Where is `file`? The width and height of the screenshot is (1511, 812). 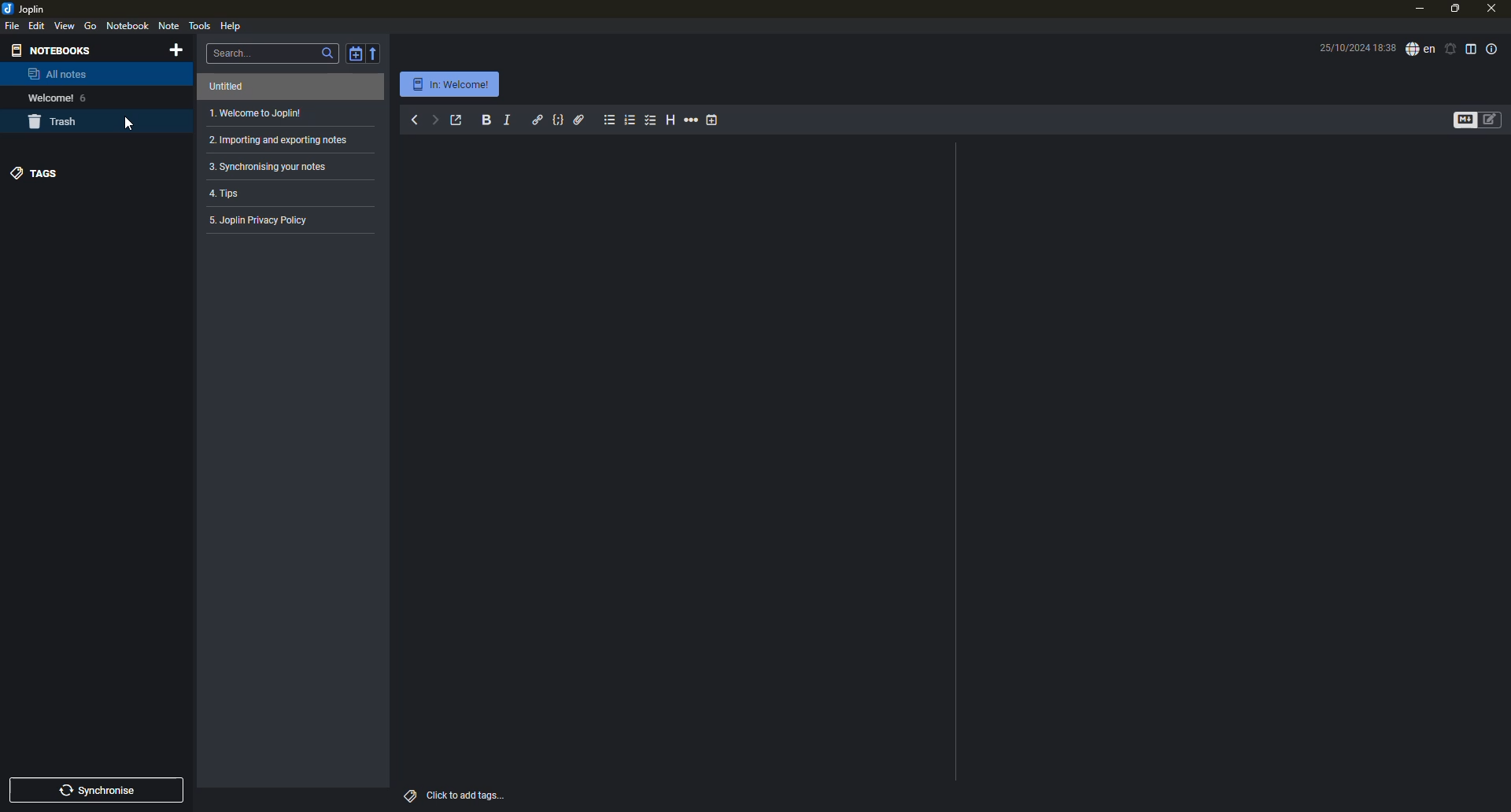 file is located at coordinates (13, 26).